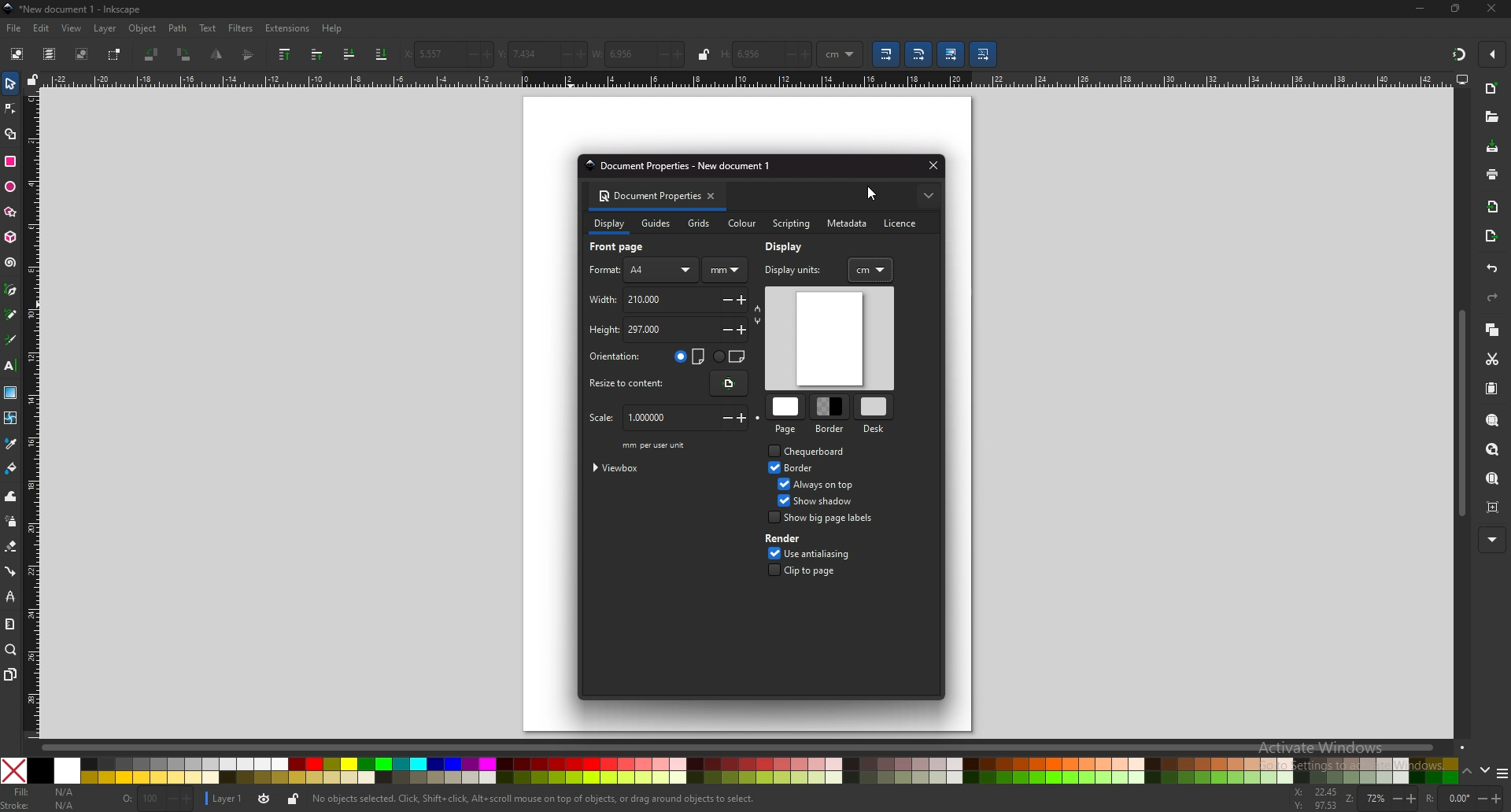 The width and height of the screenshot is (1511, 812). I want to click on scripting, so click(789, 223).